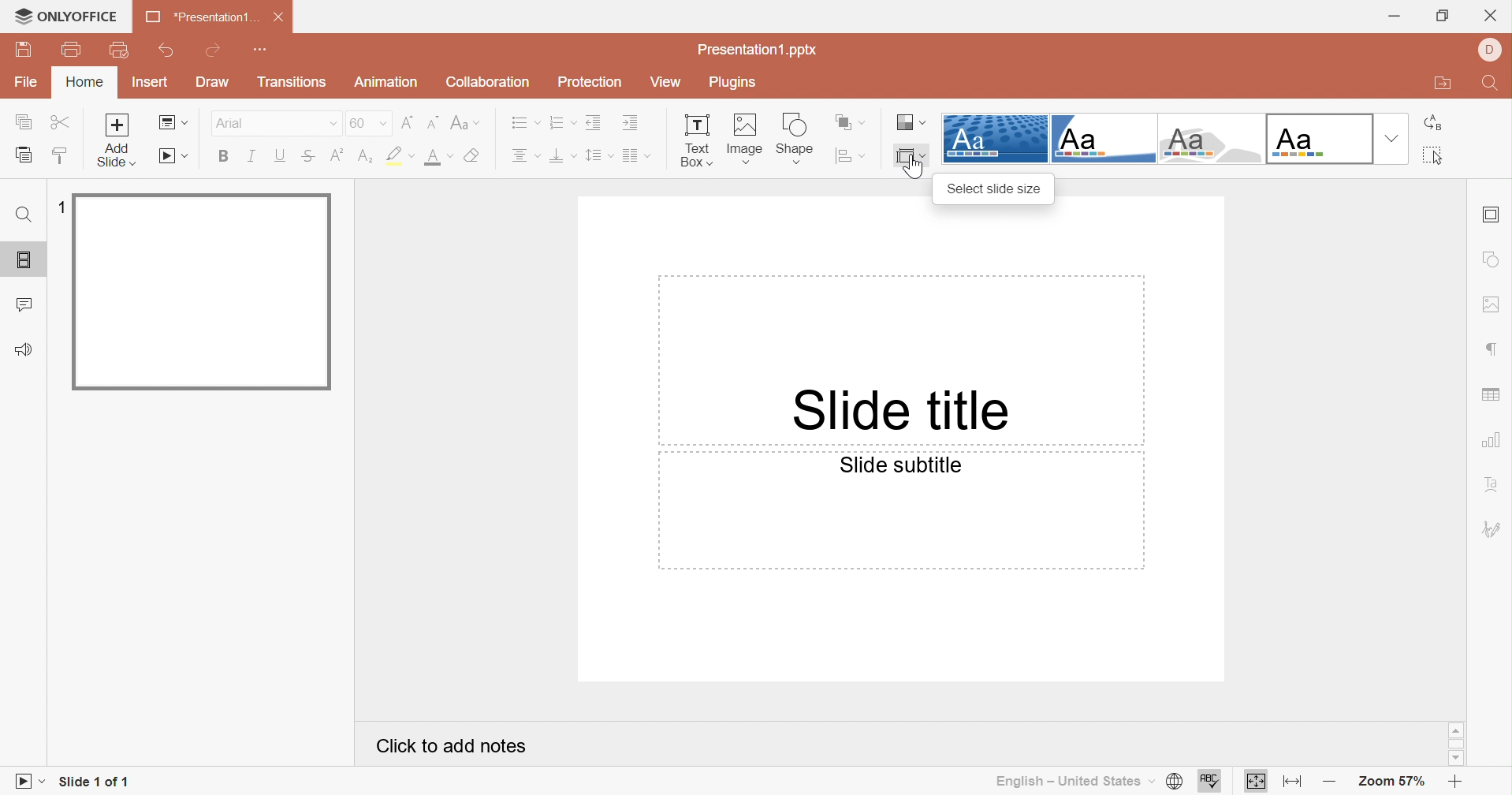 Image resolution: width=1512 pixels, height=795 pixels. What do you see at coordinates (1397, 17) in the screenshot?
I see `Minimize` at bounding box center [1397, 17].